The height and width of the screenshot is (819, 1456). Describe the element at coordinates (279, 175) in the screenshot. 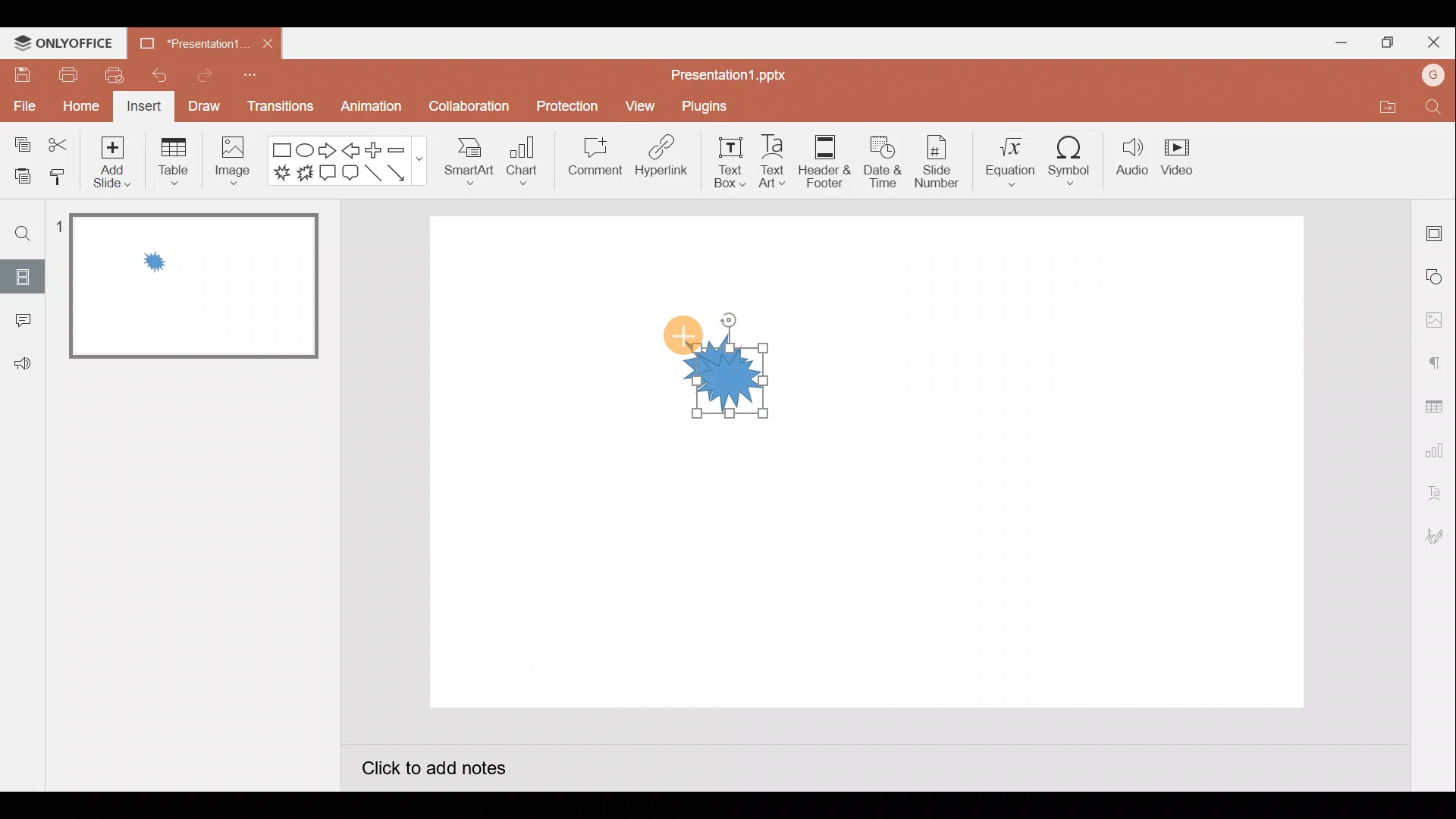

I see `Explosion 1` at that location.